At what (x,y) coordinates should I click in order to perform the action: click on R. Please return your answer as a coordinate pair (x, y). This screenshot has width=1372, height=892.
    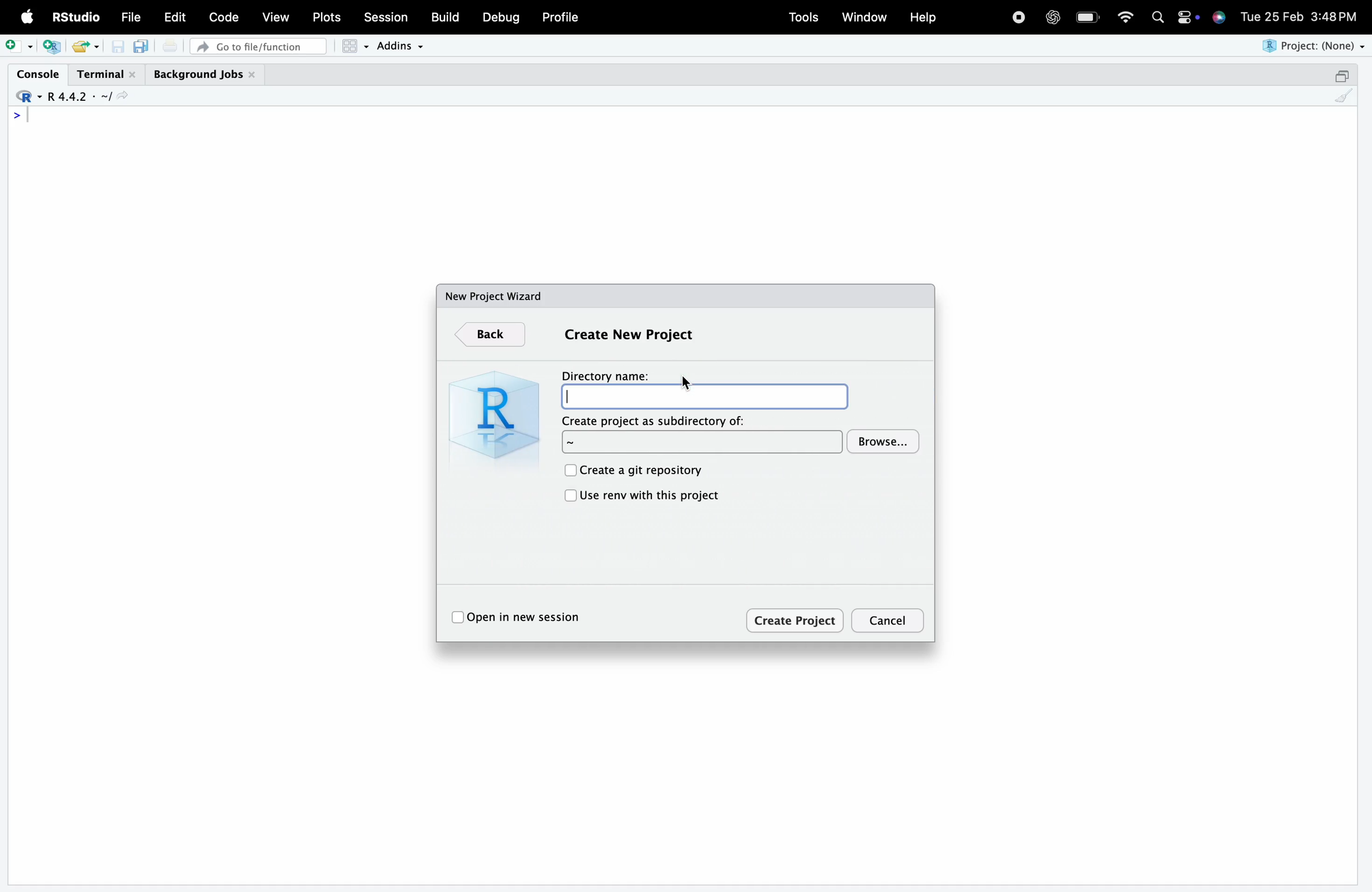
    Looking at the image, I should click on (491, 414).